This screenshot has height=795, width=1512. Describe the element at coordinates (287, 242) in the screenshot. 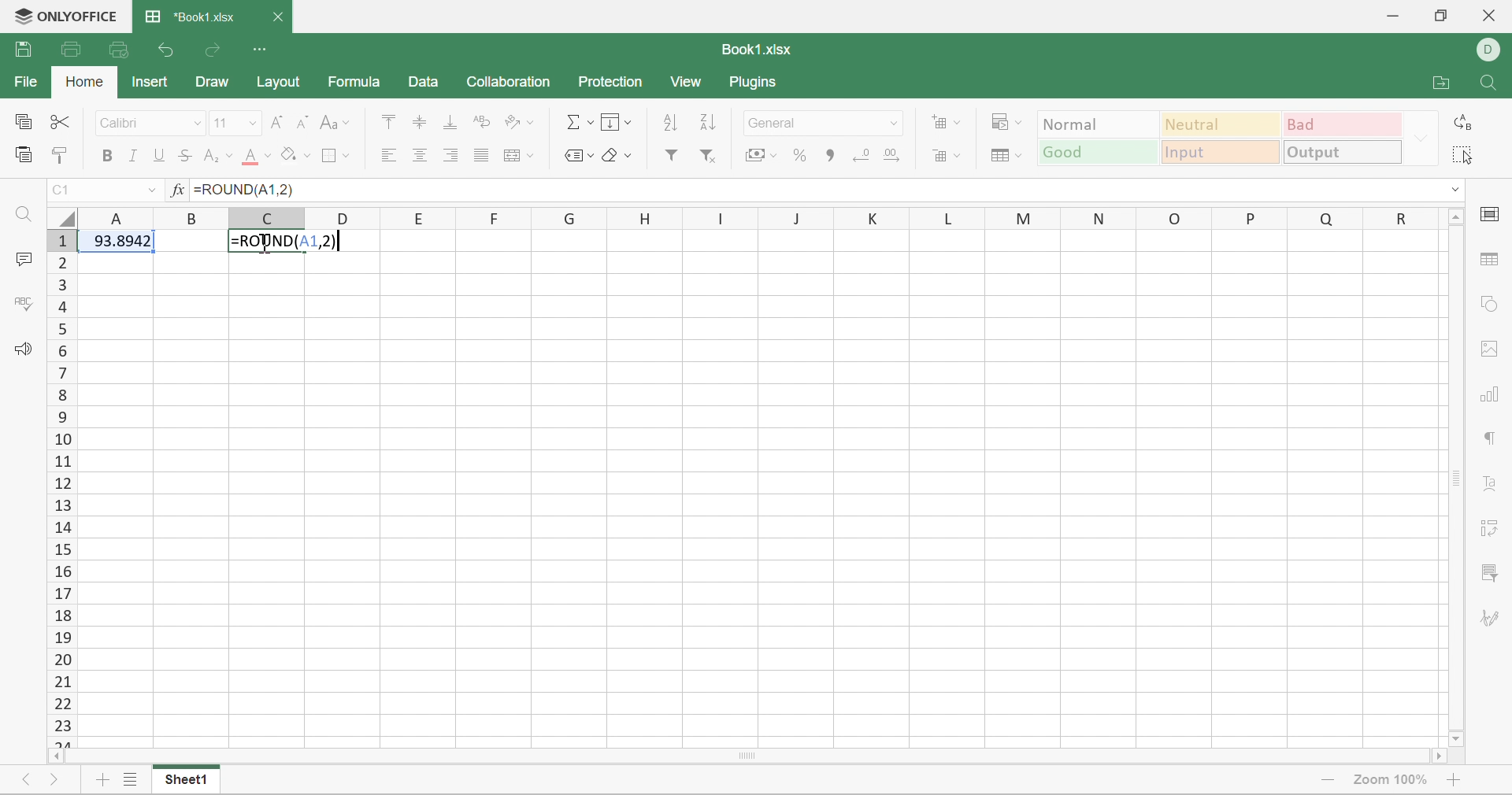

I see `ROUND(A1,2)` at that location.